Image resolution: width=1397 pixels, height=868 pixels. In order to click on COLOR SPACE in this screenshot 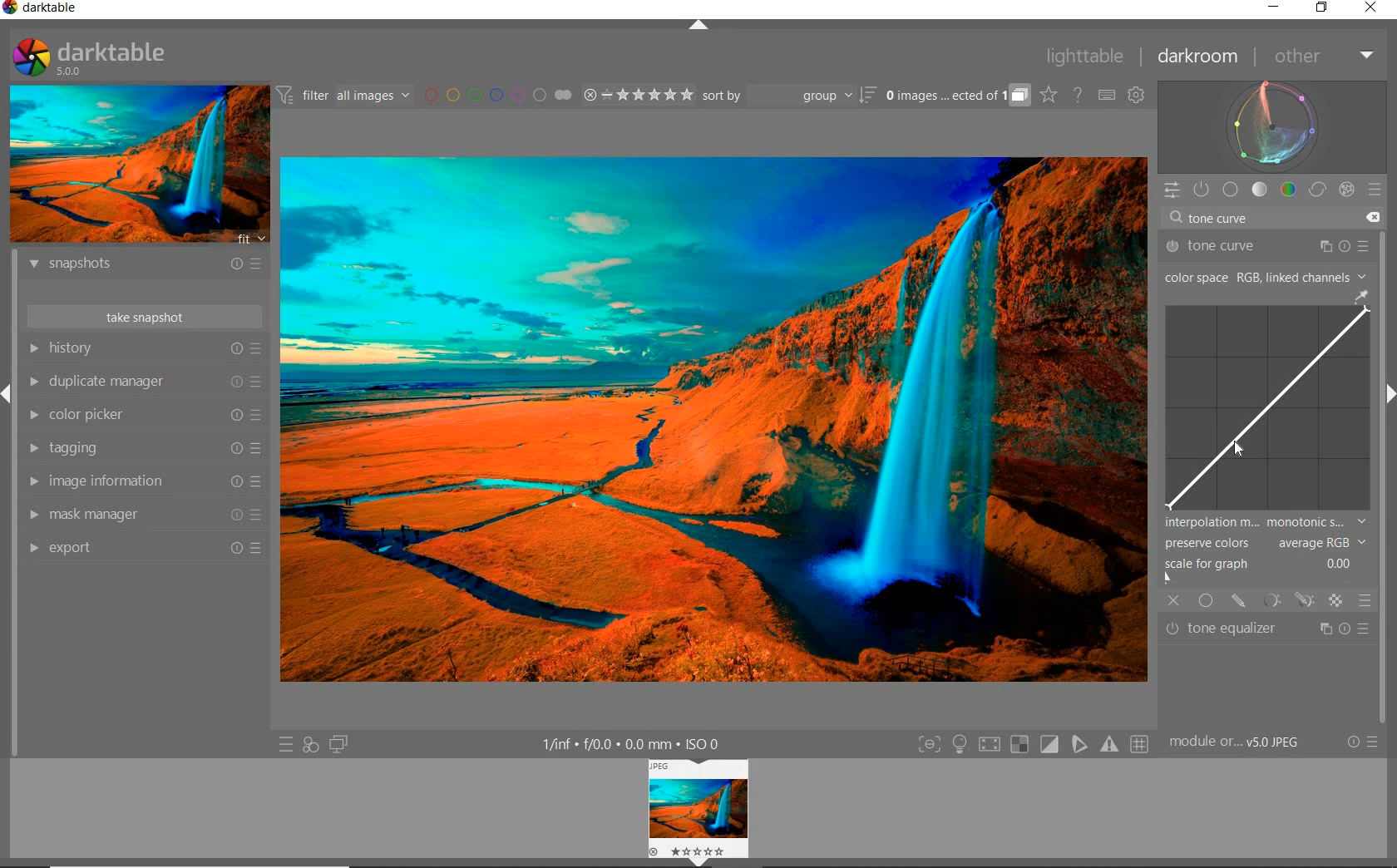, I will do `click(1266, 276)`.